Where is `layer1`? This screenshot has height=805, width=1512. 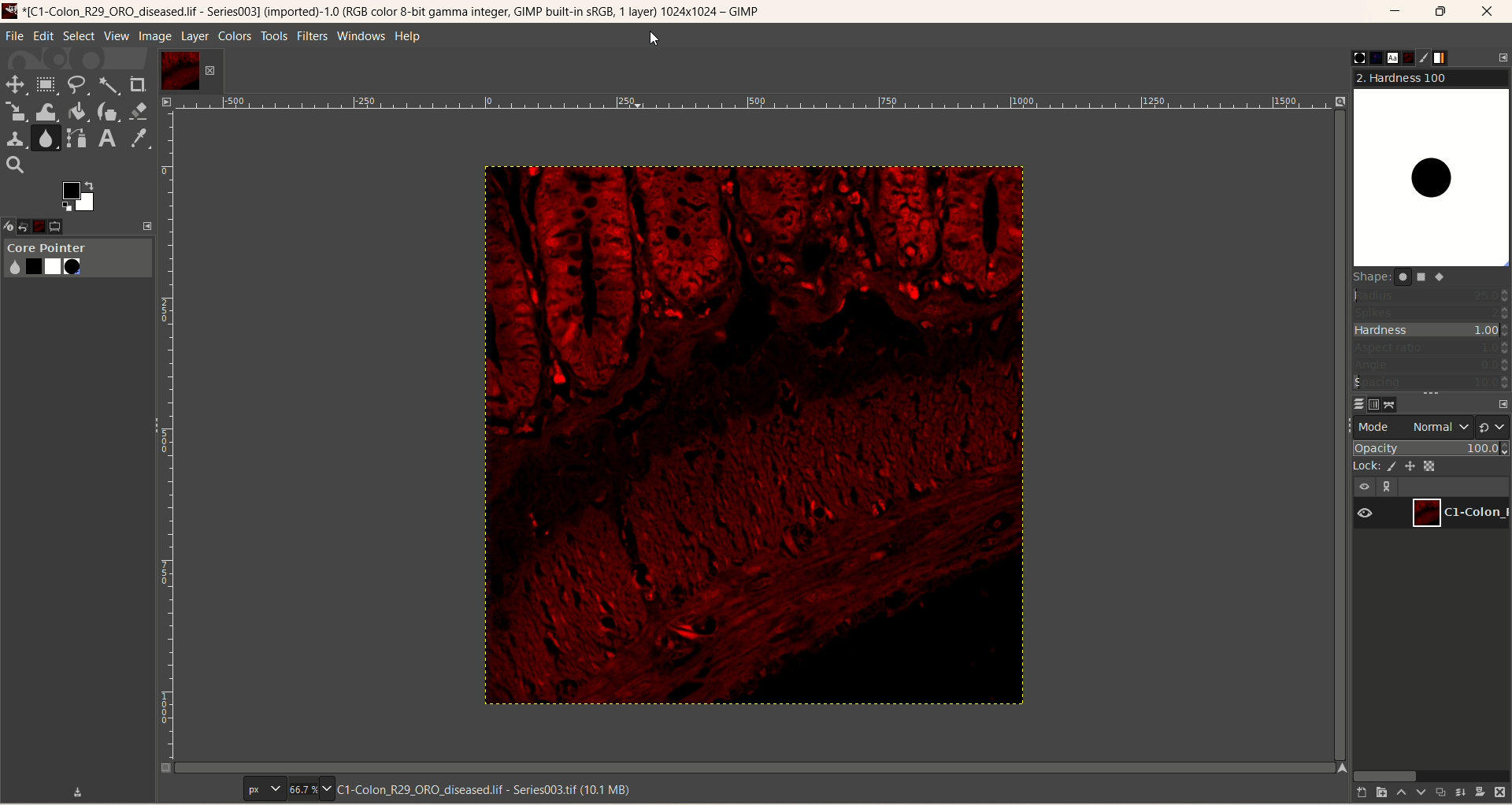
layer1 is located at coordinates (190, 71).